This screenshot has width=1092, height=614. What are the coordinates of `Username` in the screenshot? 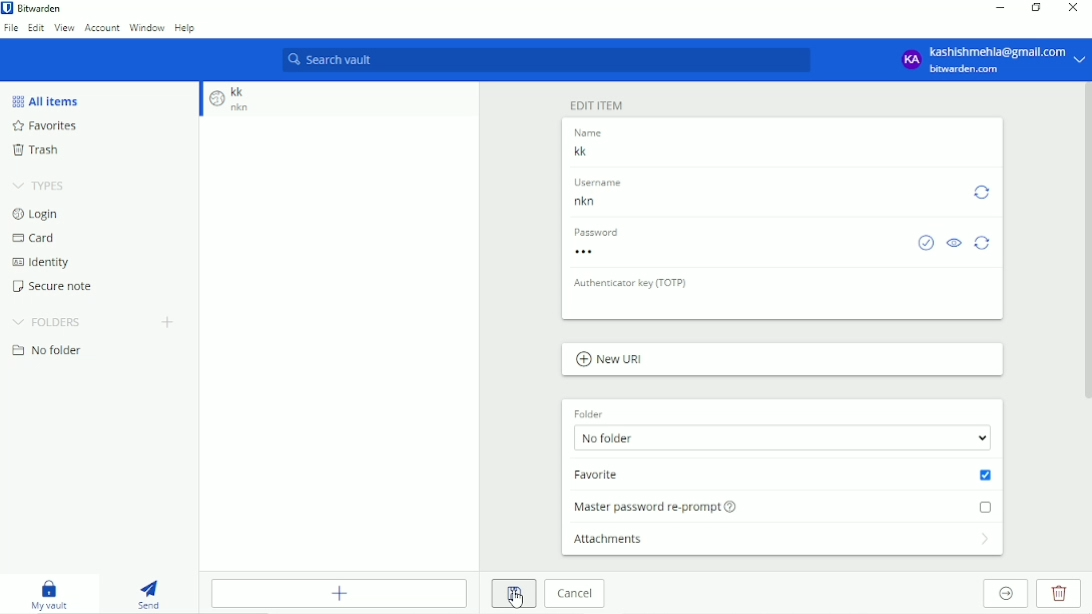 It's located at (604, 203).